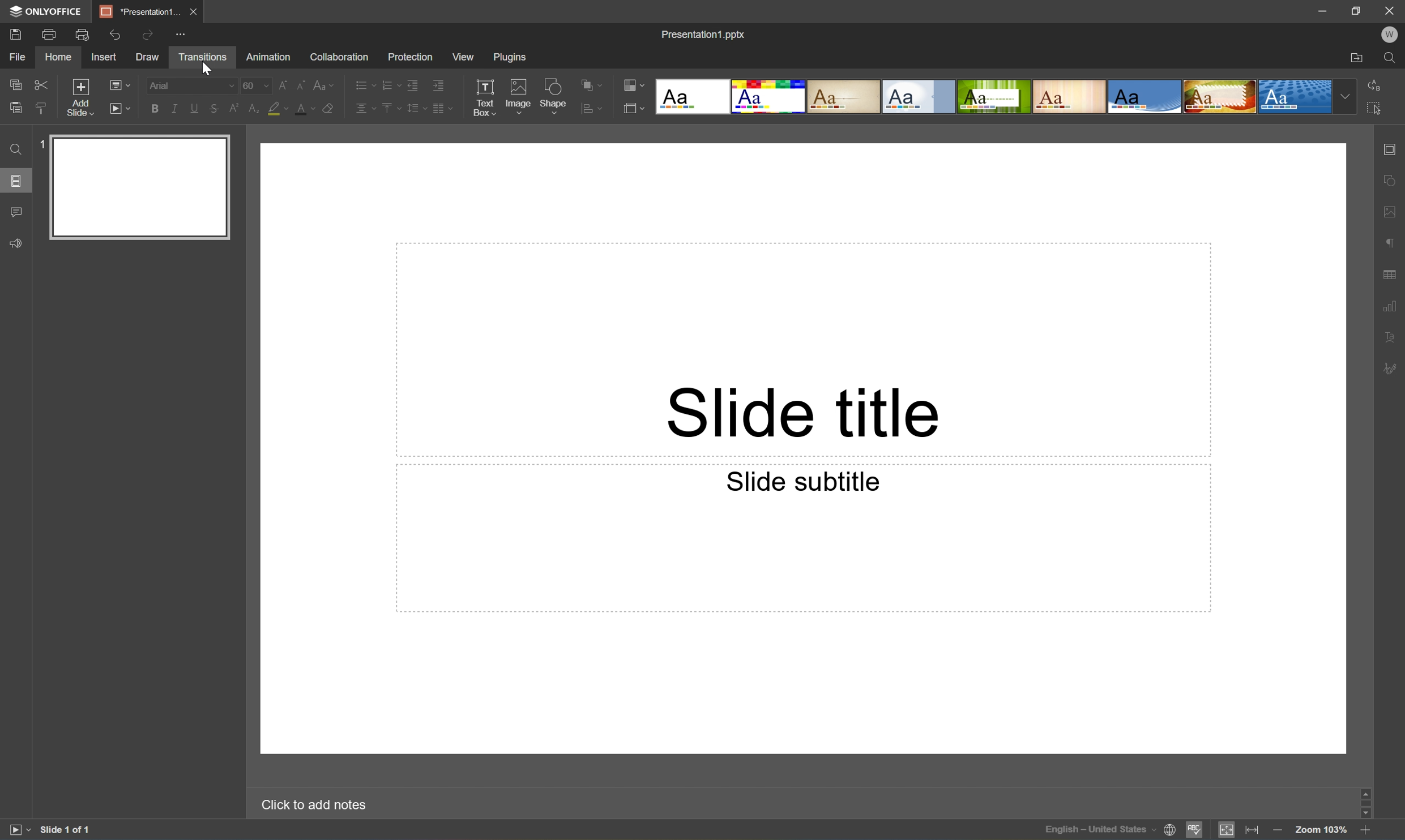  Describe the element at coordinates (1389, 243) in the screenshot. I see `Paragraph settings` at that location.